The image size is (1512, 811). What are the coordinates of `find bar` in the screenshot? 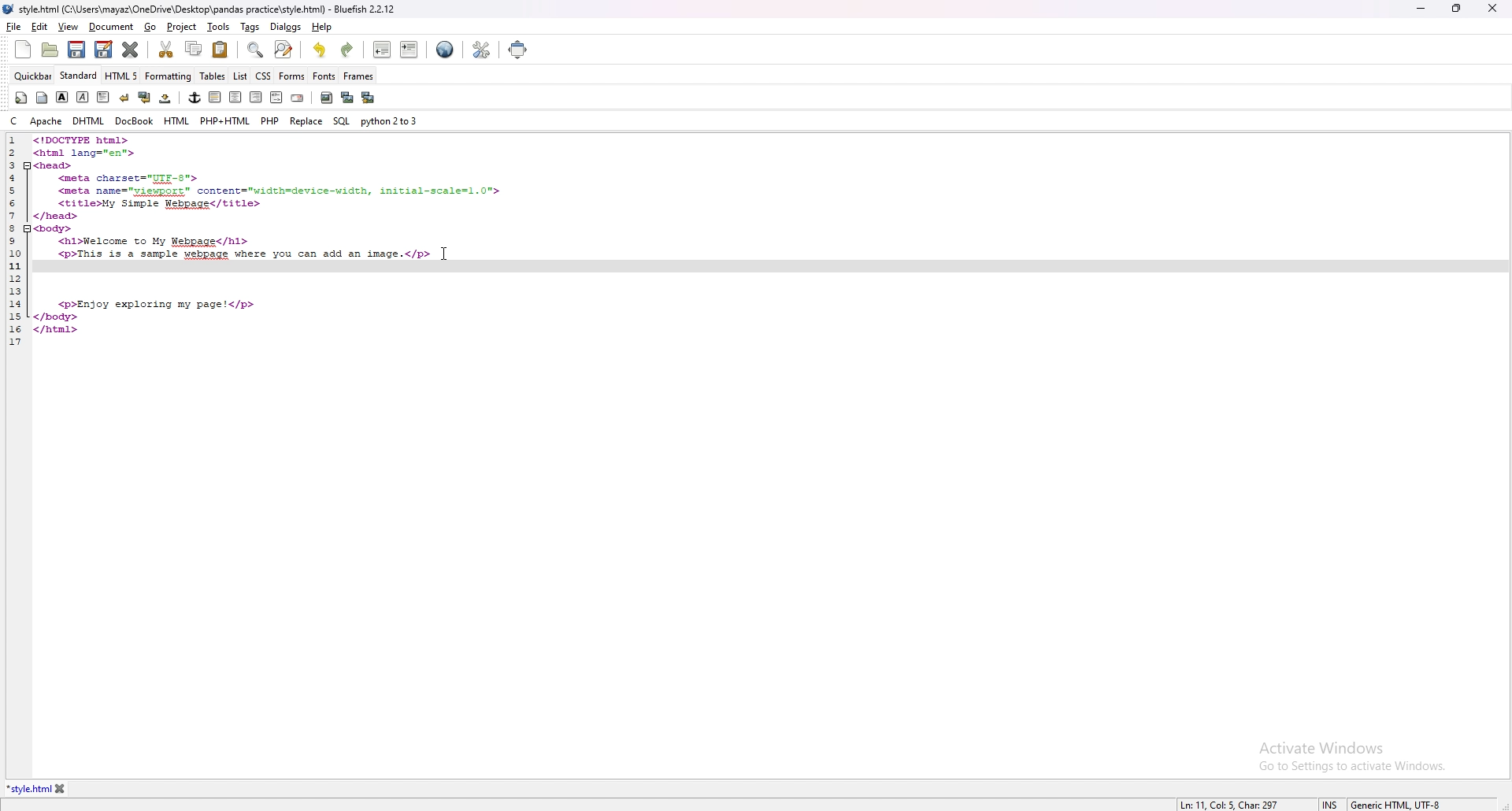 It's located at (256, 50).